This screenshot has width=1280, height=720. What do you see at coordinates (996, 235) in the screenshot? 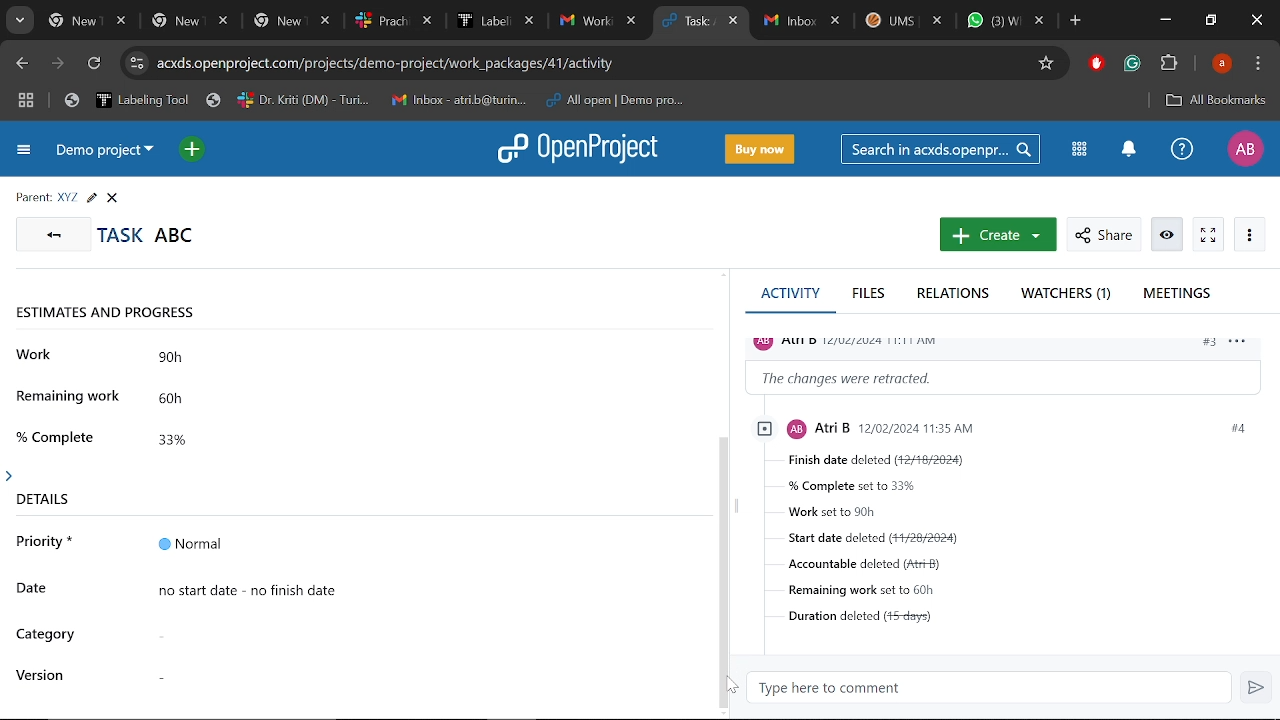
I see `New work package` at bounding box center [996, 235].